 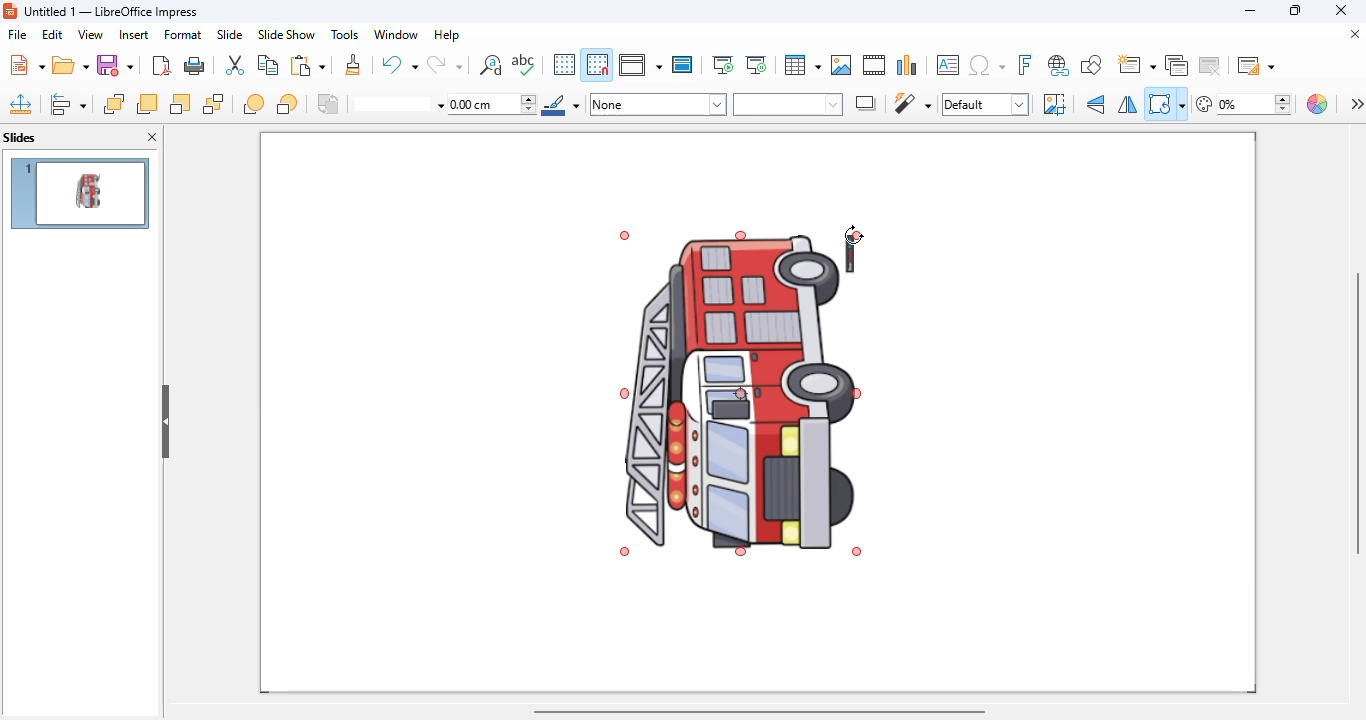 What do you see at coordinates (1137, 64) in the screenshot?
I see `new slide` at bounding box center [1137, 64].